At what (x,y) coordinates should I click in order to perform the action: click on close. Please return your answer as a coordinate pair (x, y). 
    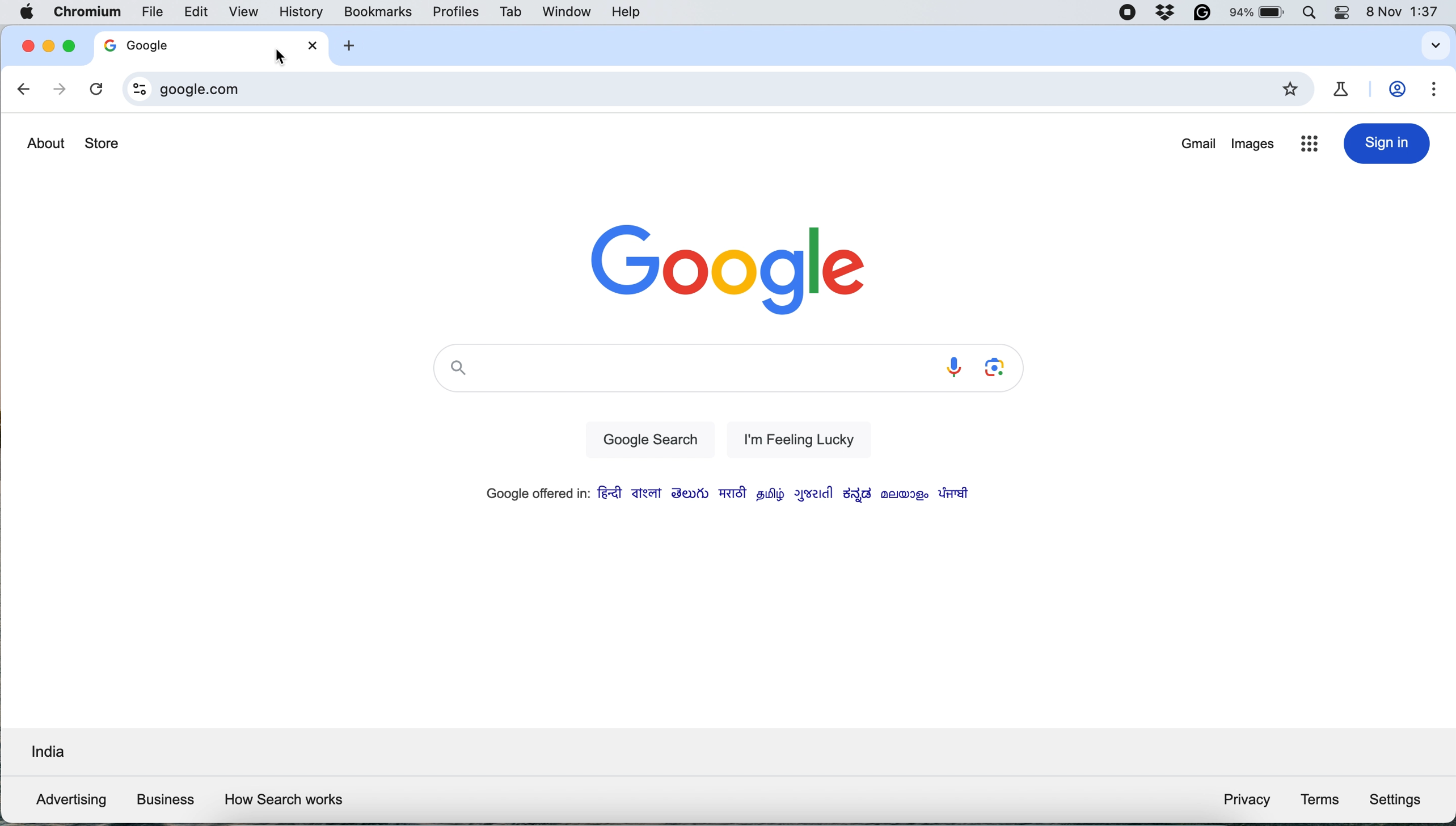
    Looking at the image, I should click on (24, 47).